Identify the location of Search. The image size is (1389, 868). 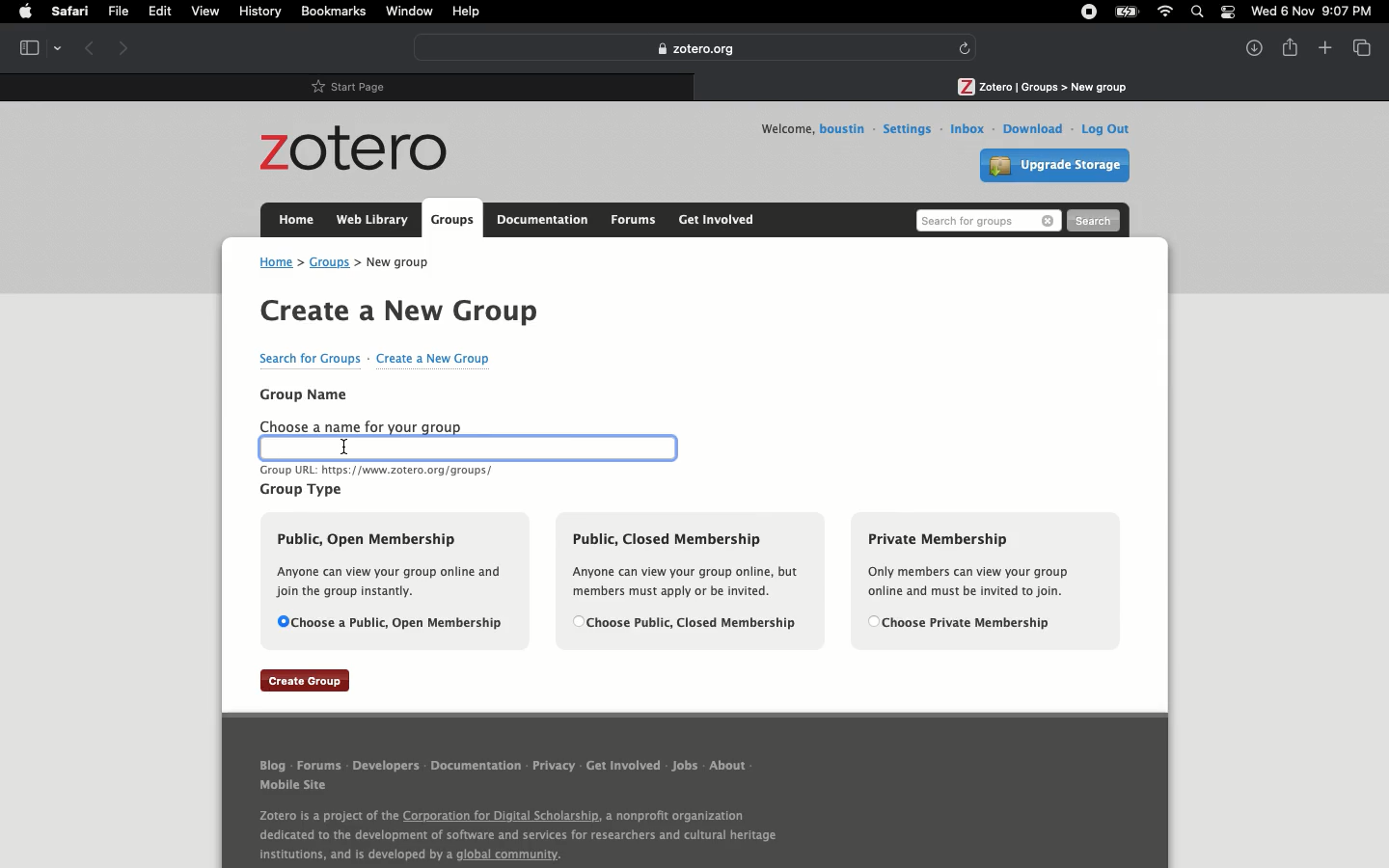
(988, 220).